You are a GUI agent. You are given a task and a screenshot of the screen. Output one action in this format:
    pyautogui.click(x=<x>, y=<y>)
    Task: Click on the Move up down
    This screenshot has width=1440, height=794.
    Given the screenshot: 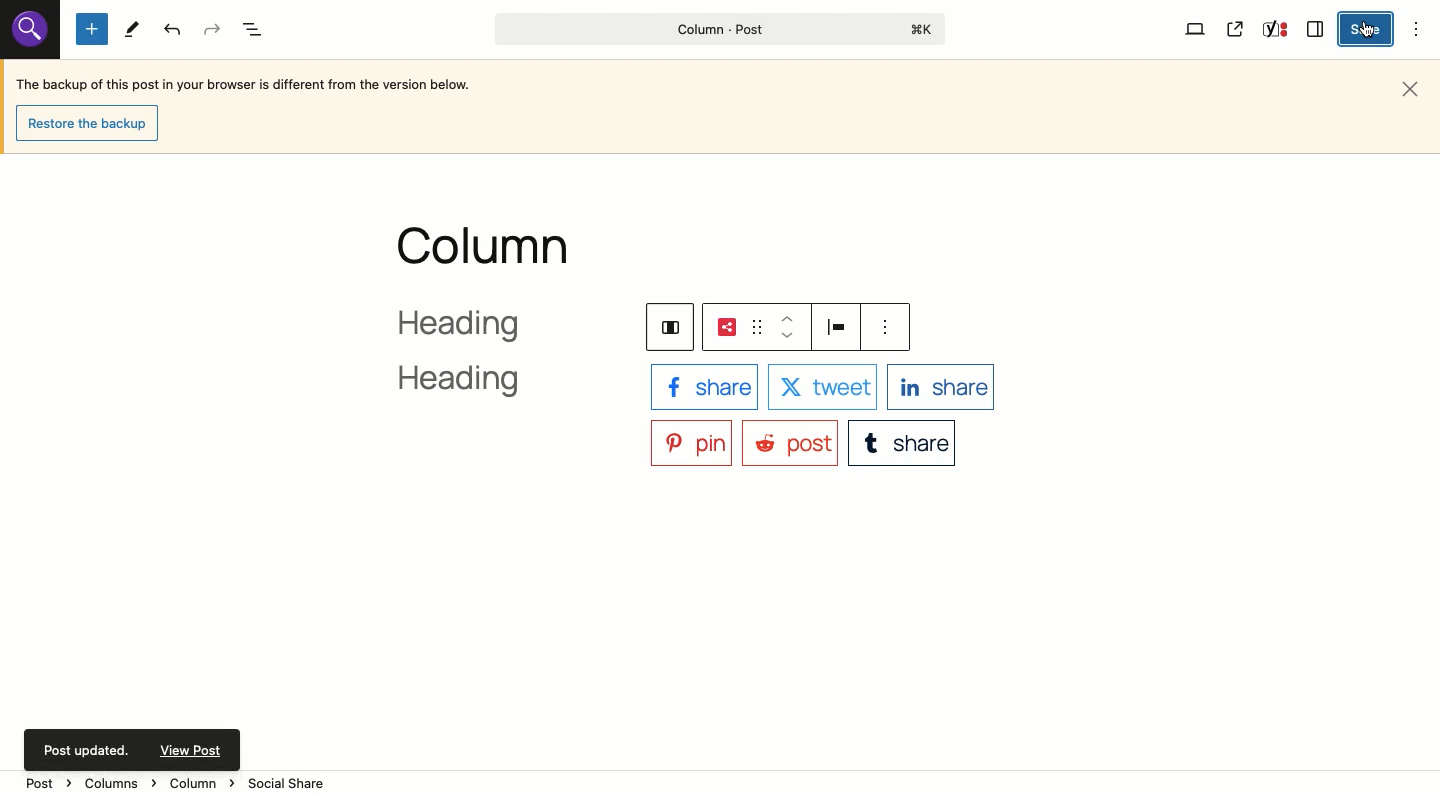 What is the action you would take?
    pyautogui.click(x=788, y=327)
    